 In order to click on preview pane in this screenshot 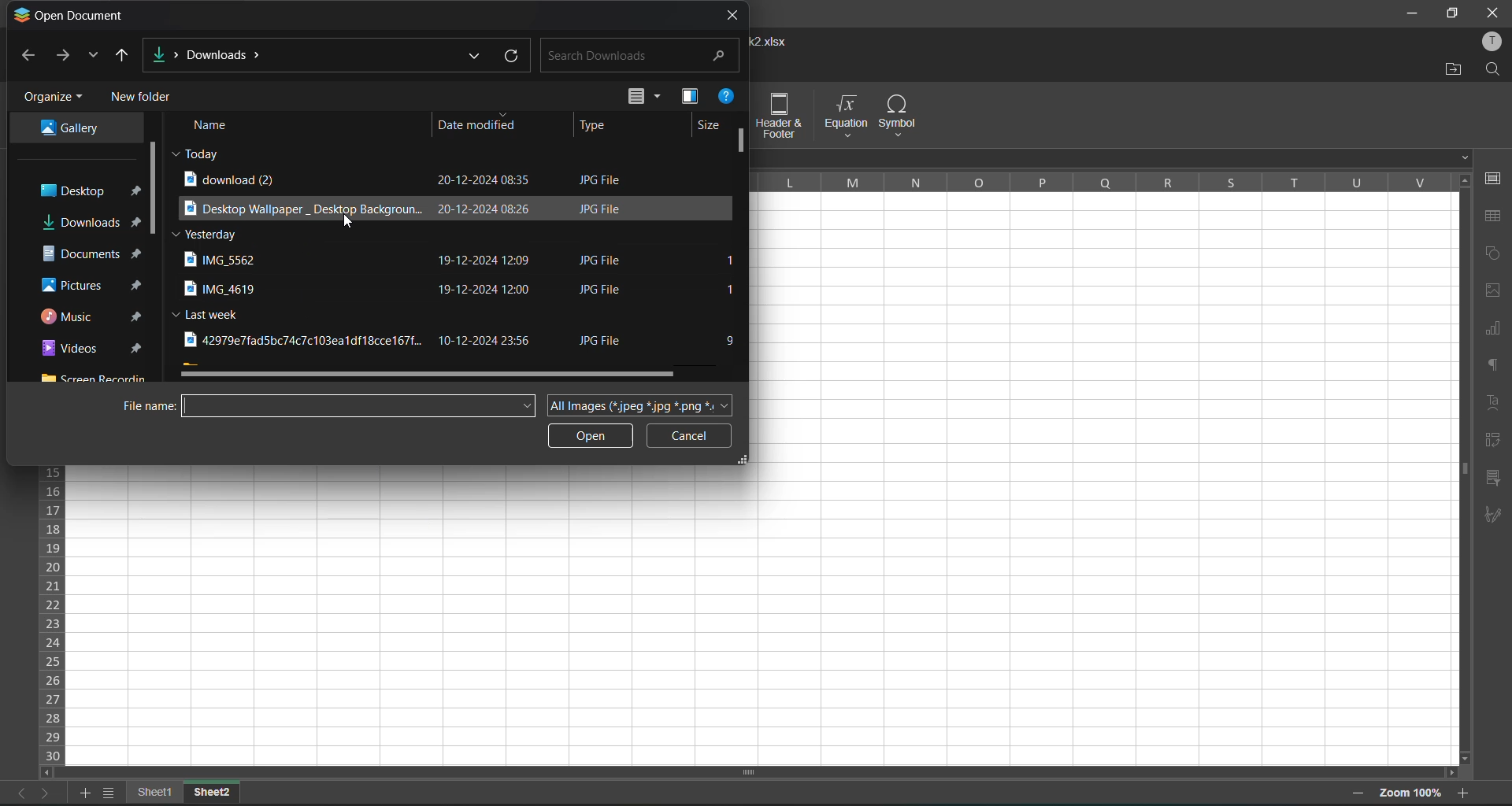, I will do `click(689, 96)`.